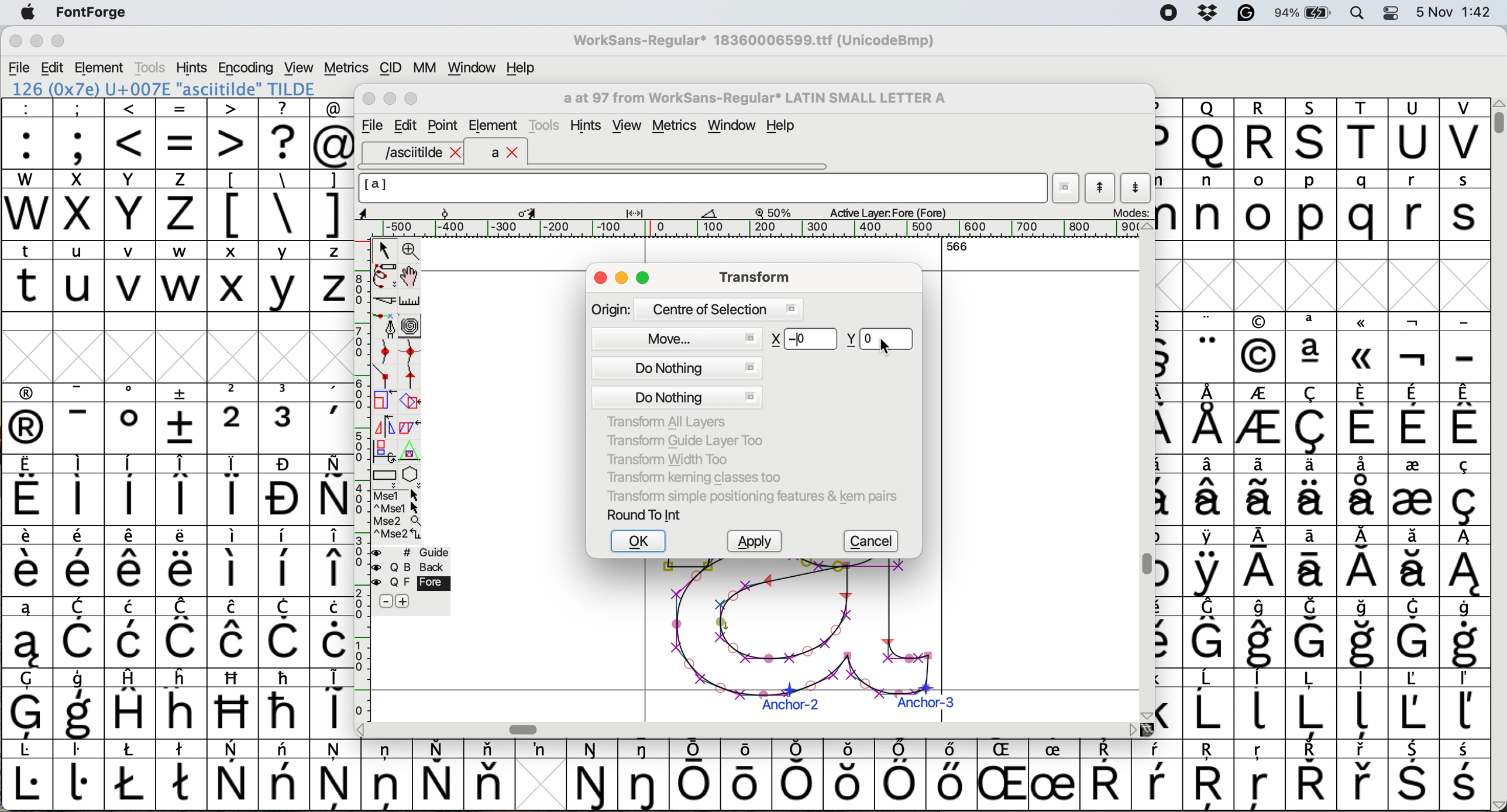 The height and width of the screenshot is (812, 1507). I want to click on file, so click(20, 68).